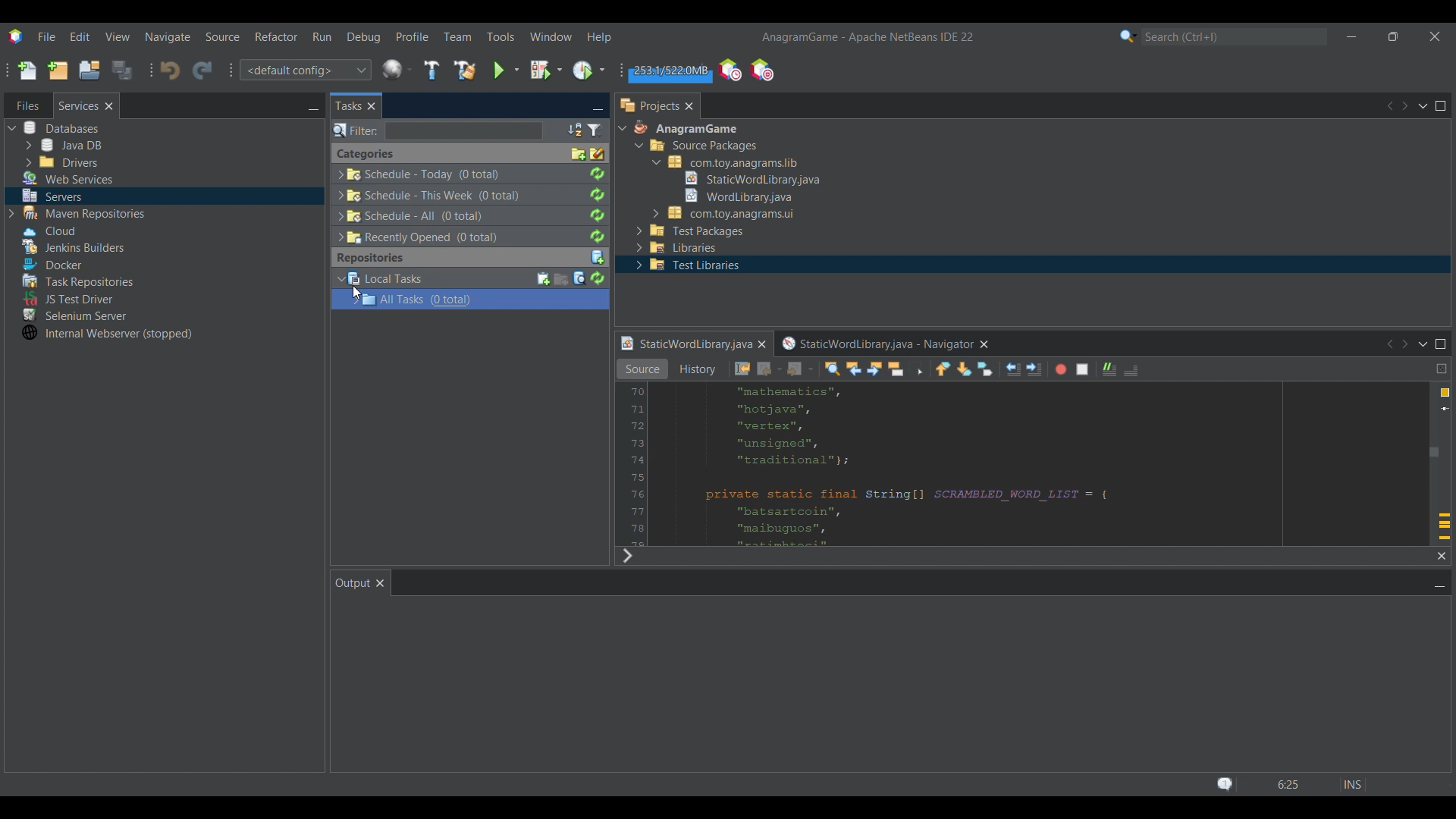 This screenshot has height=819, width=1456. What do you see at coordinates (113, 108) in the screenshot?
I see `Close` at bounding box center [113, 108].